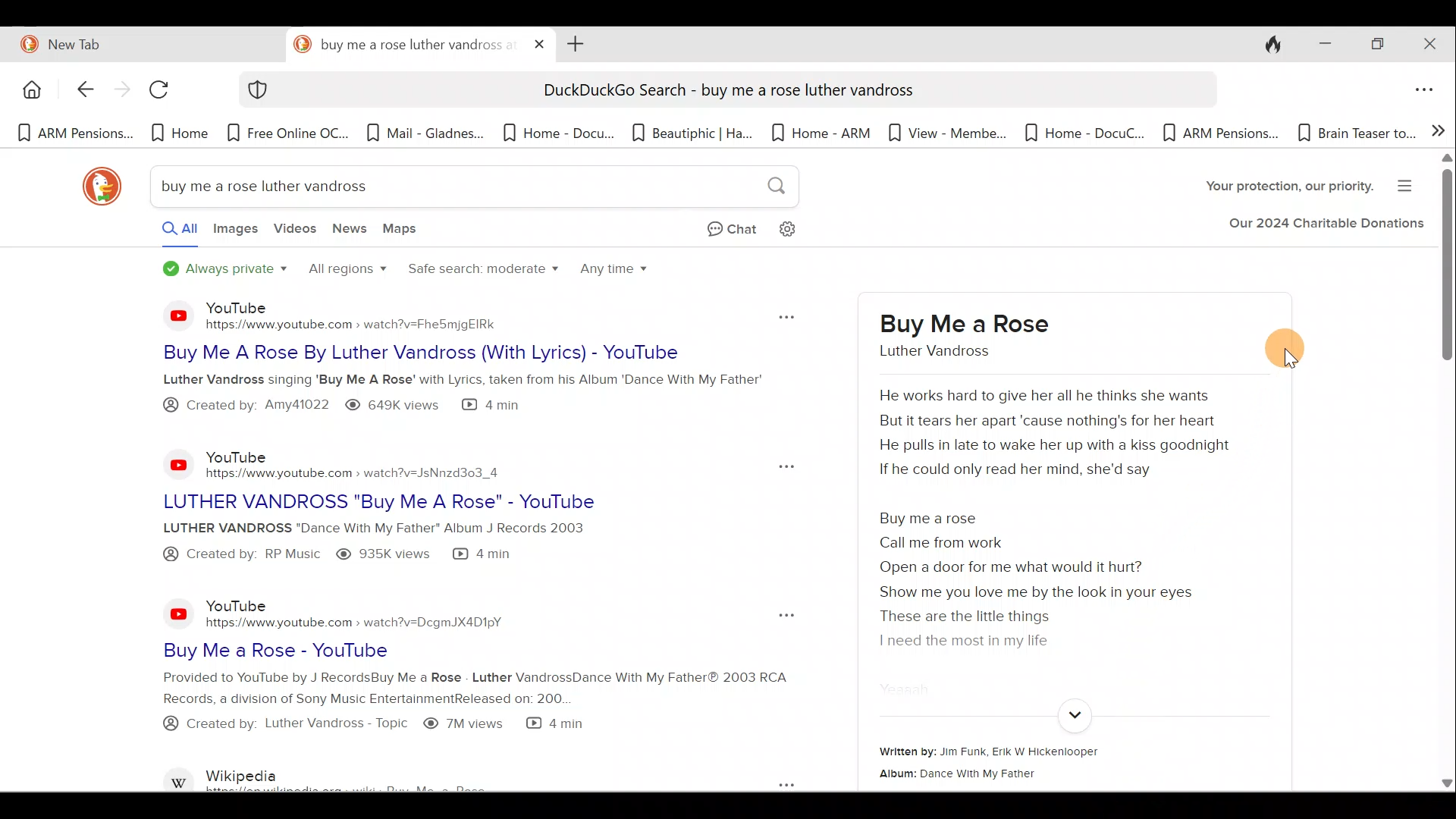 The height and width of the screenshot is (819, 1456). I want to click on LUTHER VANDROSS "Dance With My Father" Album J Records 2003
@® Created by: RP Music ® 935K views (® 4 min, so click(401, 542).